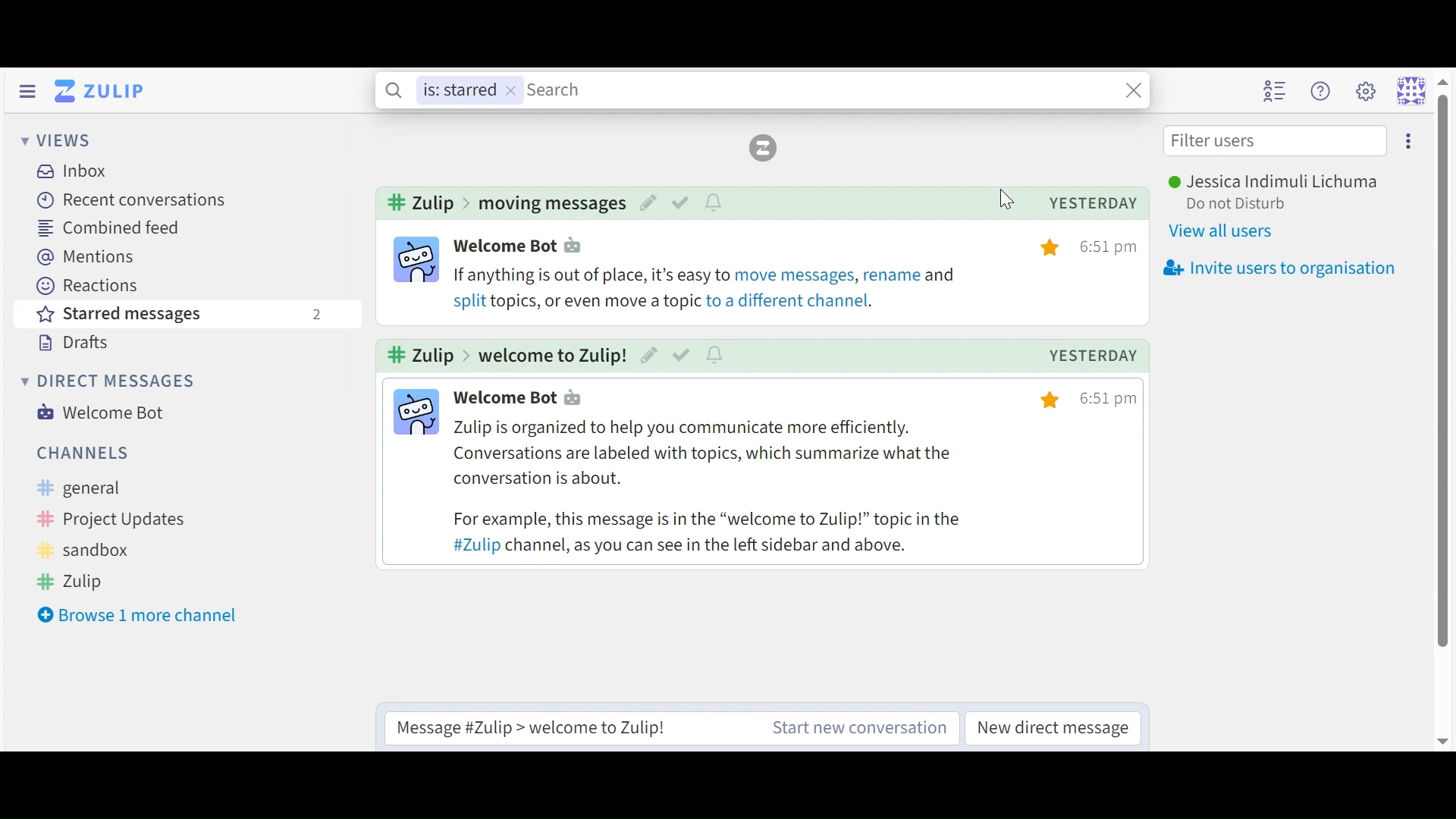 The height and width of the screenshot is (819, 1456). I want to click on Set Status, so click(1241, 204).